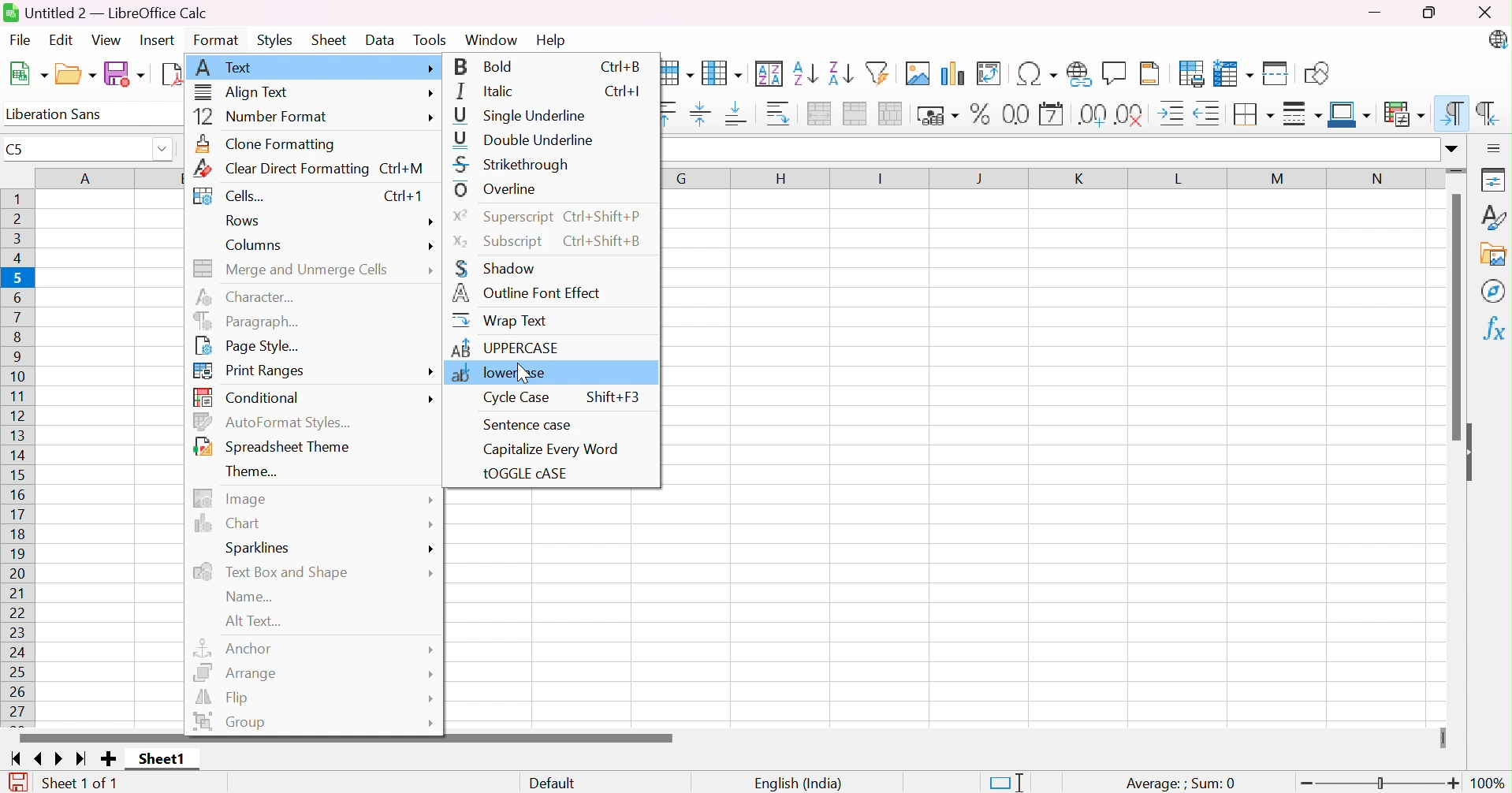  Describe the element at coordinates (1496, 145) in the screenshot. I see `Sidebar Settings` at that location.